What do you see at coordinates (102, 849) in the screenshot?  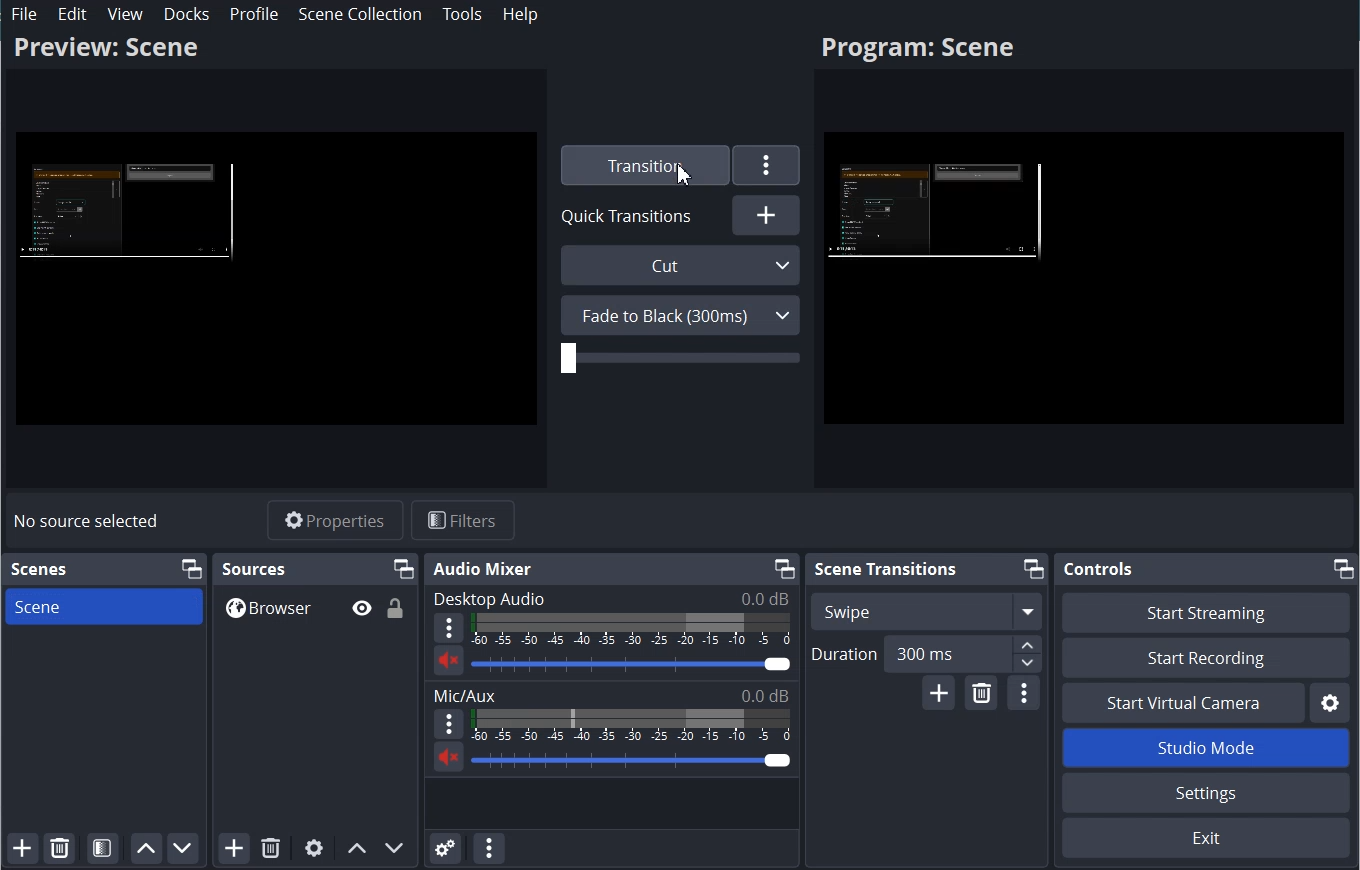 I see `Open scene Filter` at bounding box center [102, 849].